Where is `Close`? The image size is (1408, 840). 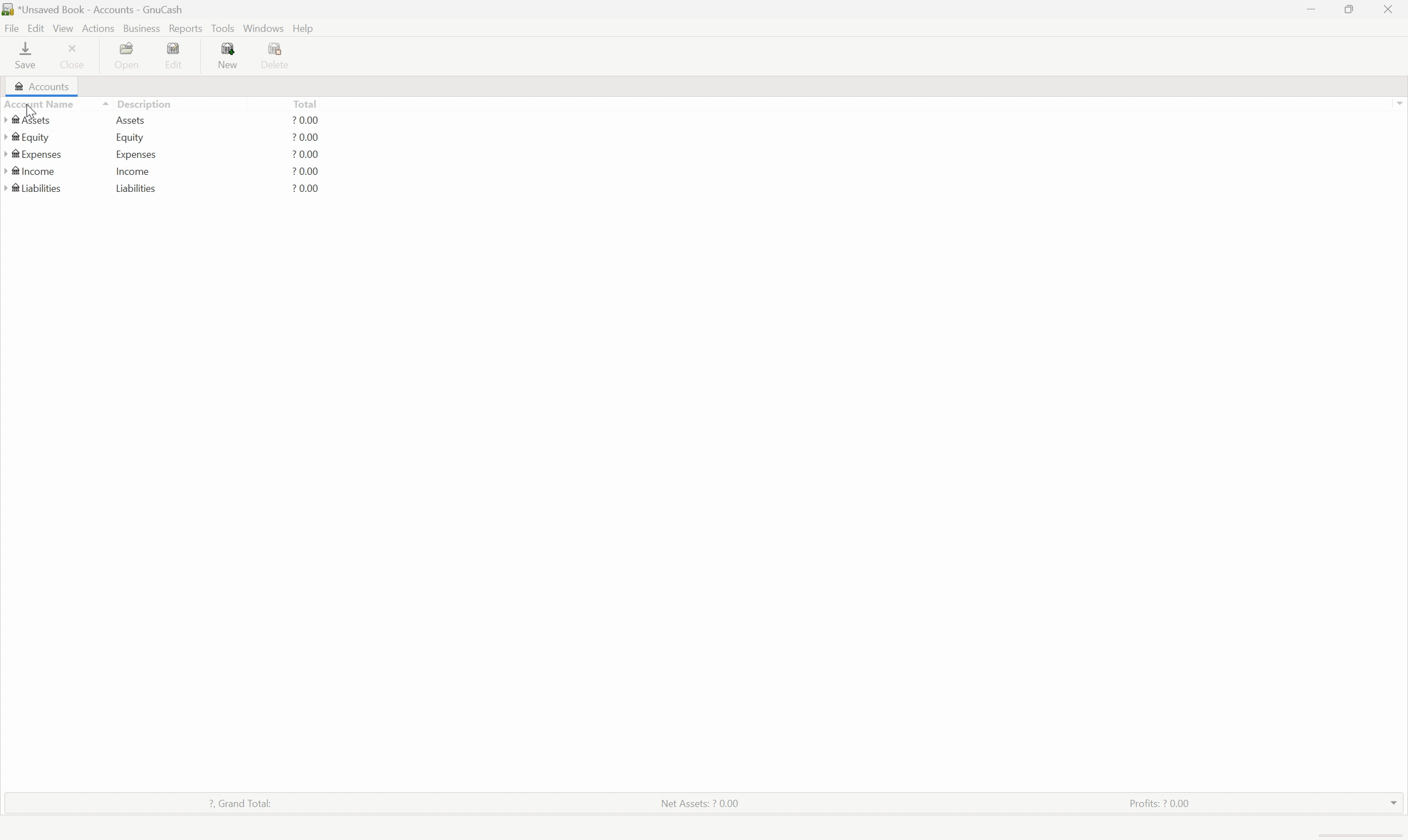
Close is located at coordinates (76, 54).